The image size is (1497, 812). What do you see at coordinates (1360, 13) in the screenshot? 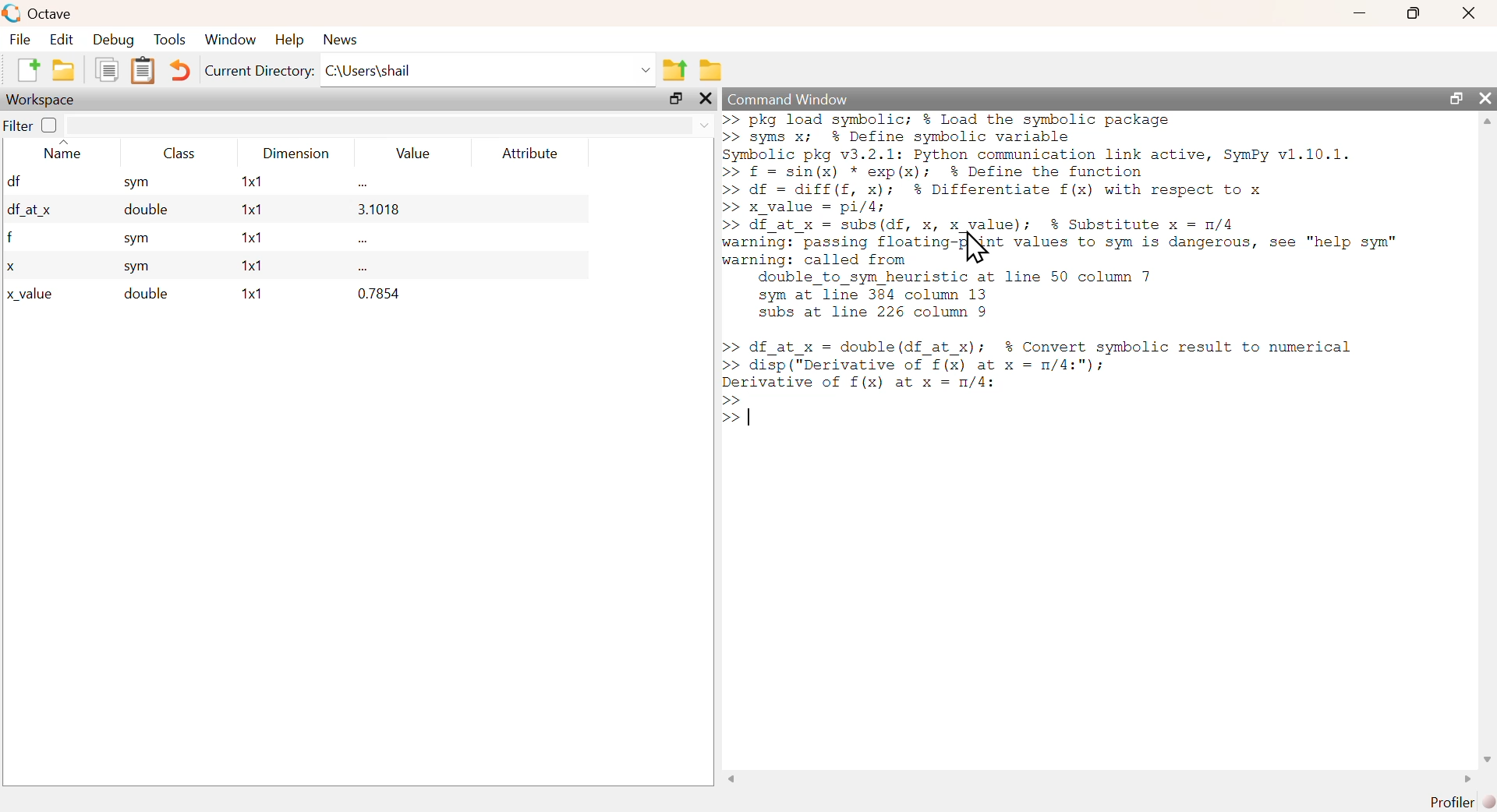
I see `minimize` at bounding box center [1360, 13].